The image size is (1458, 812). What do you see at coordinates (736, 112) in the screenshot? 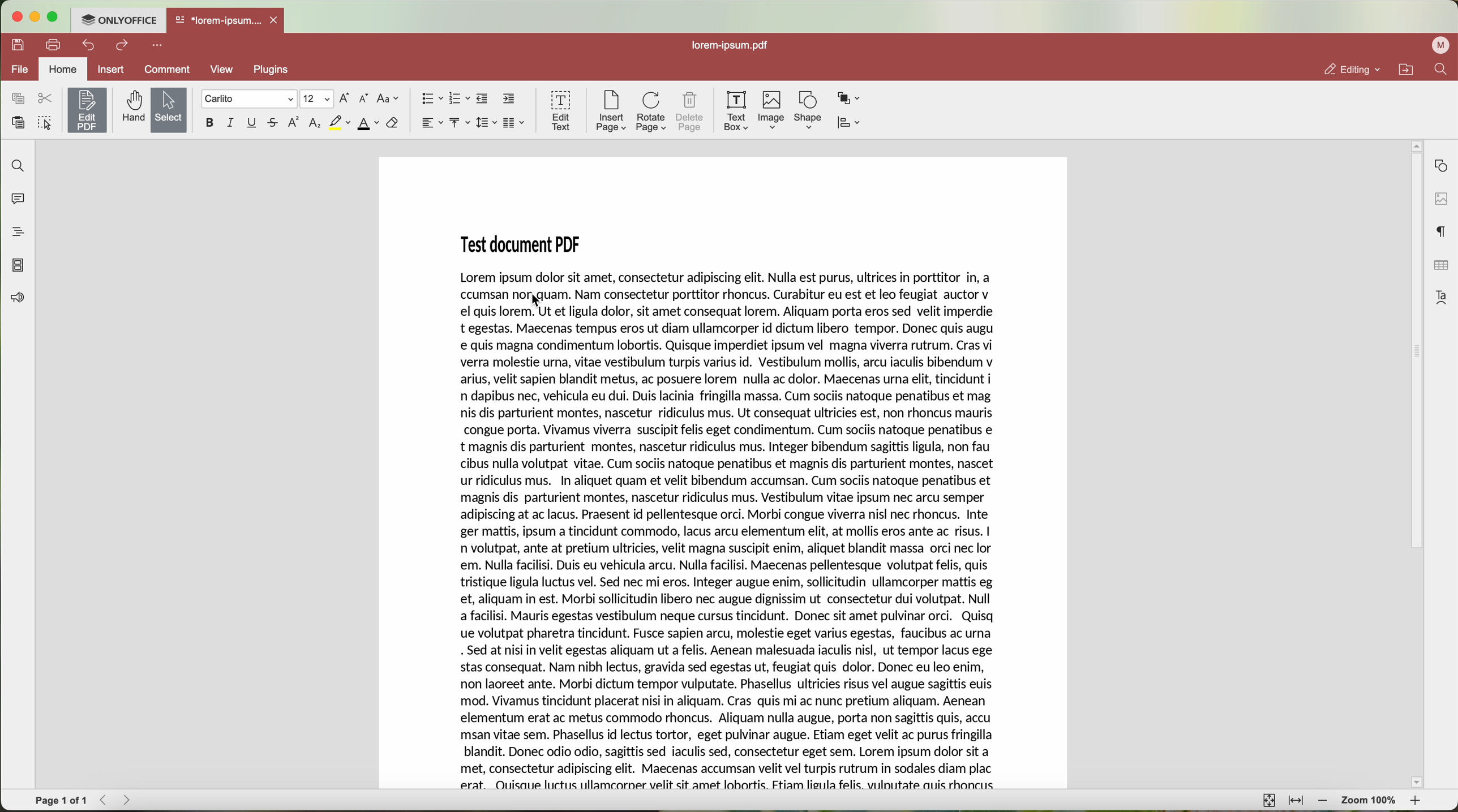
I see `text box` at bounding box center [736, 112].